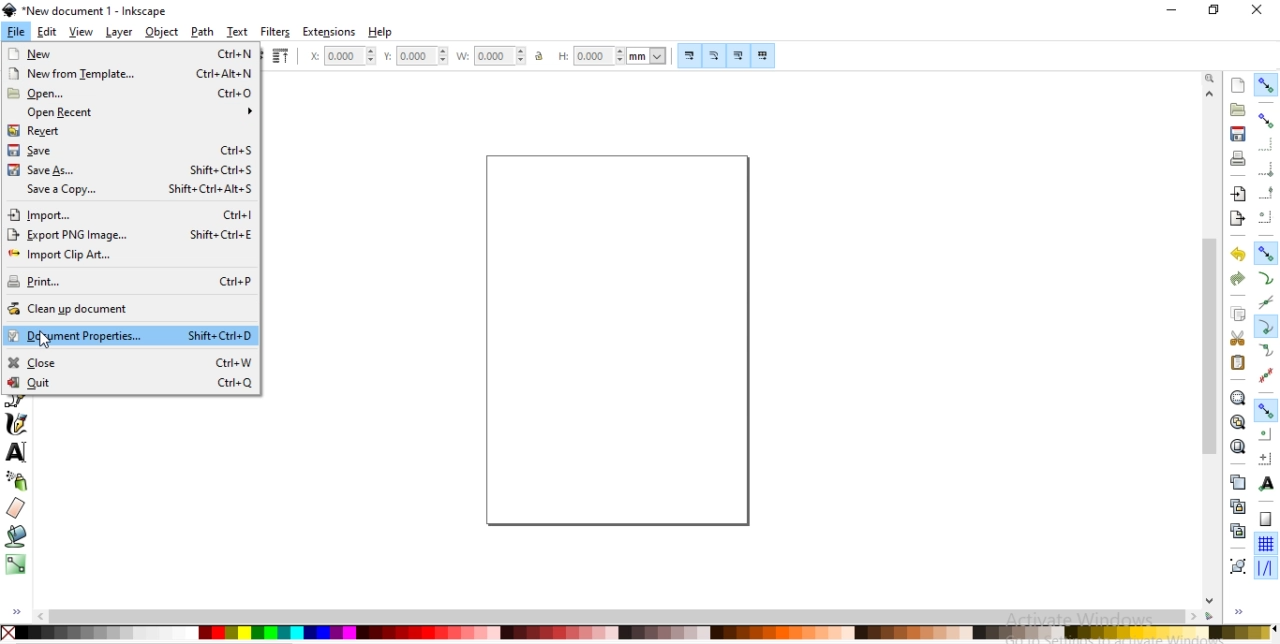 The width and height of the screenshot is (1280, 644). I want to click on text, so click(239, 32).